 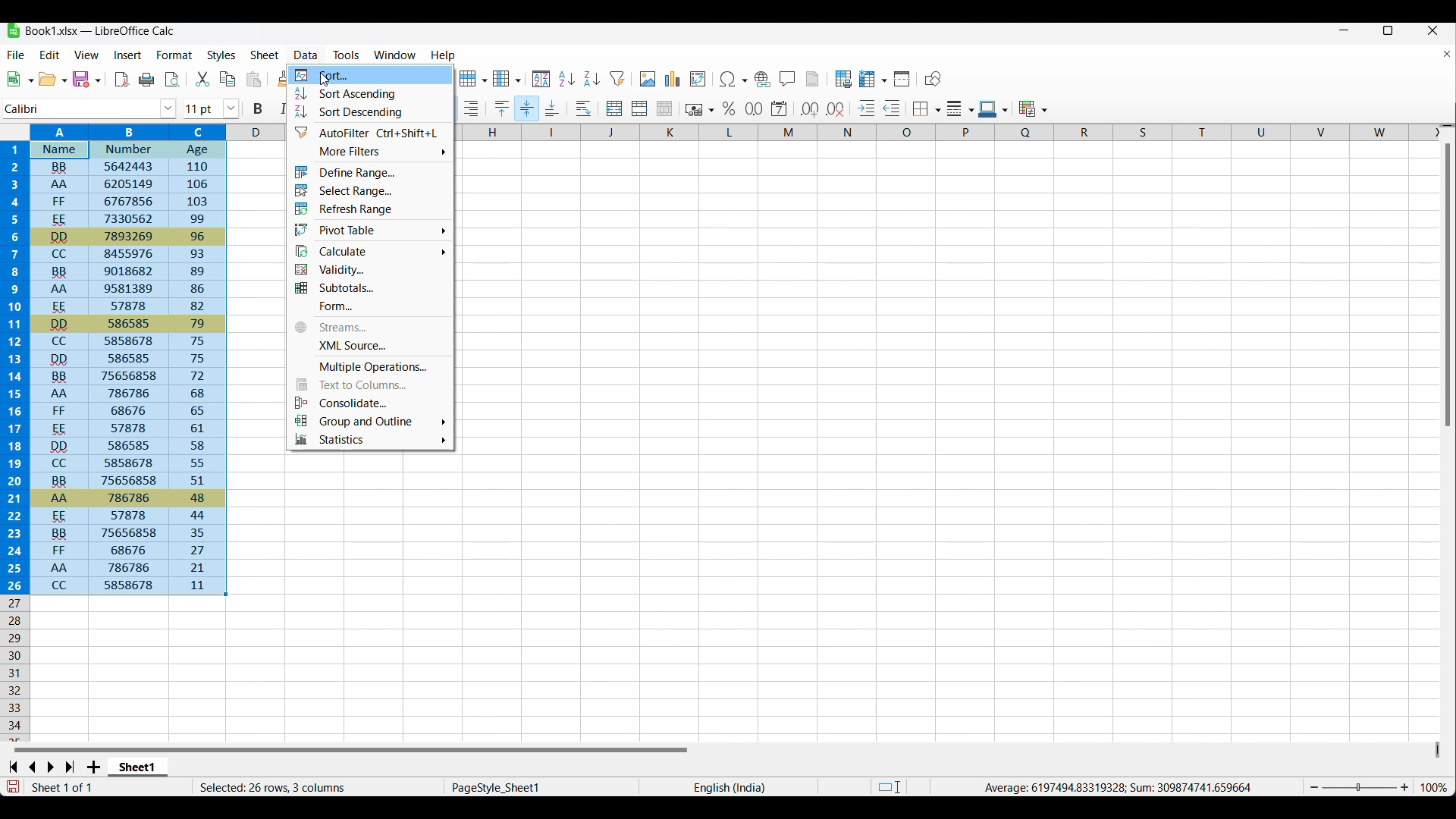 I want to click on Clone formatting, so click(x=284, y=78).